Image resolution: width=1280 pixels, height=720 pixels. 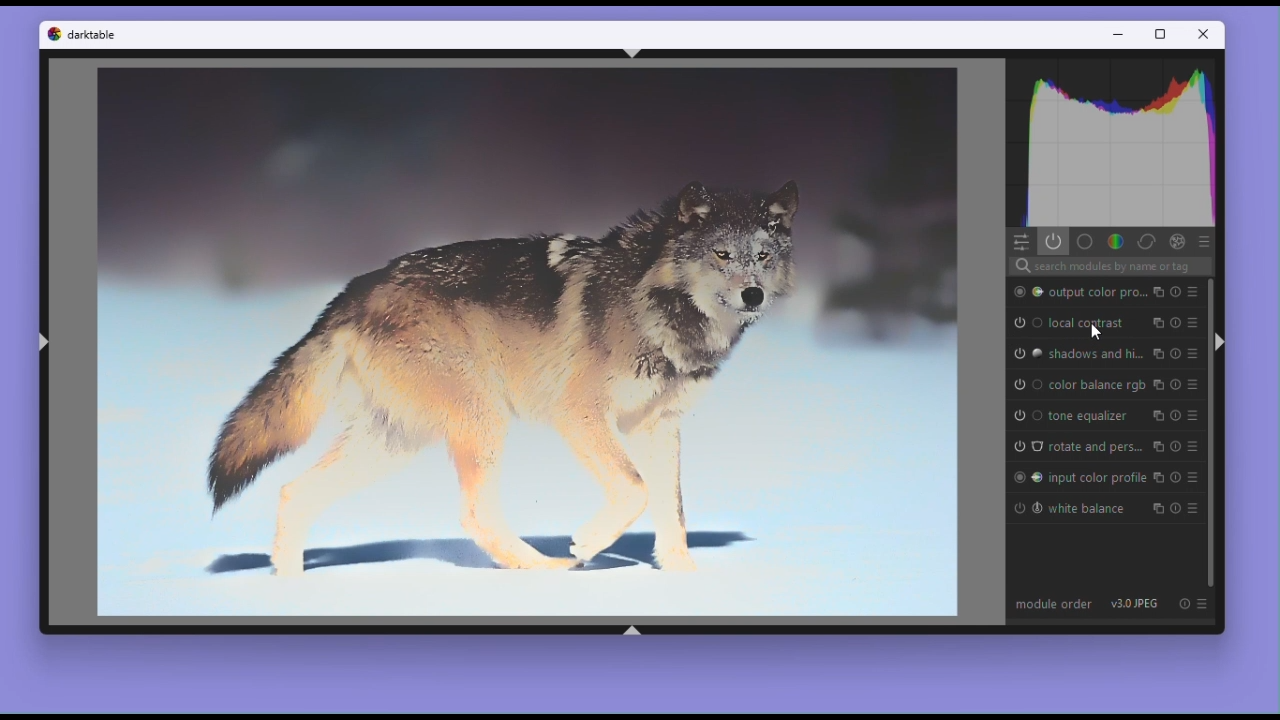 I want to click on Reset parameters, so click(x=1179, y=441).